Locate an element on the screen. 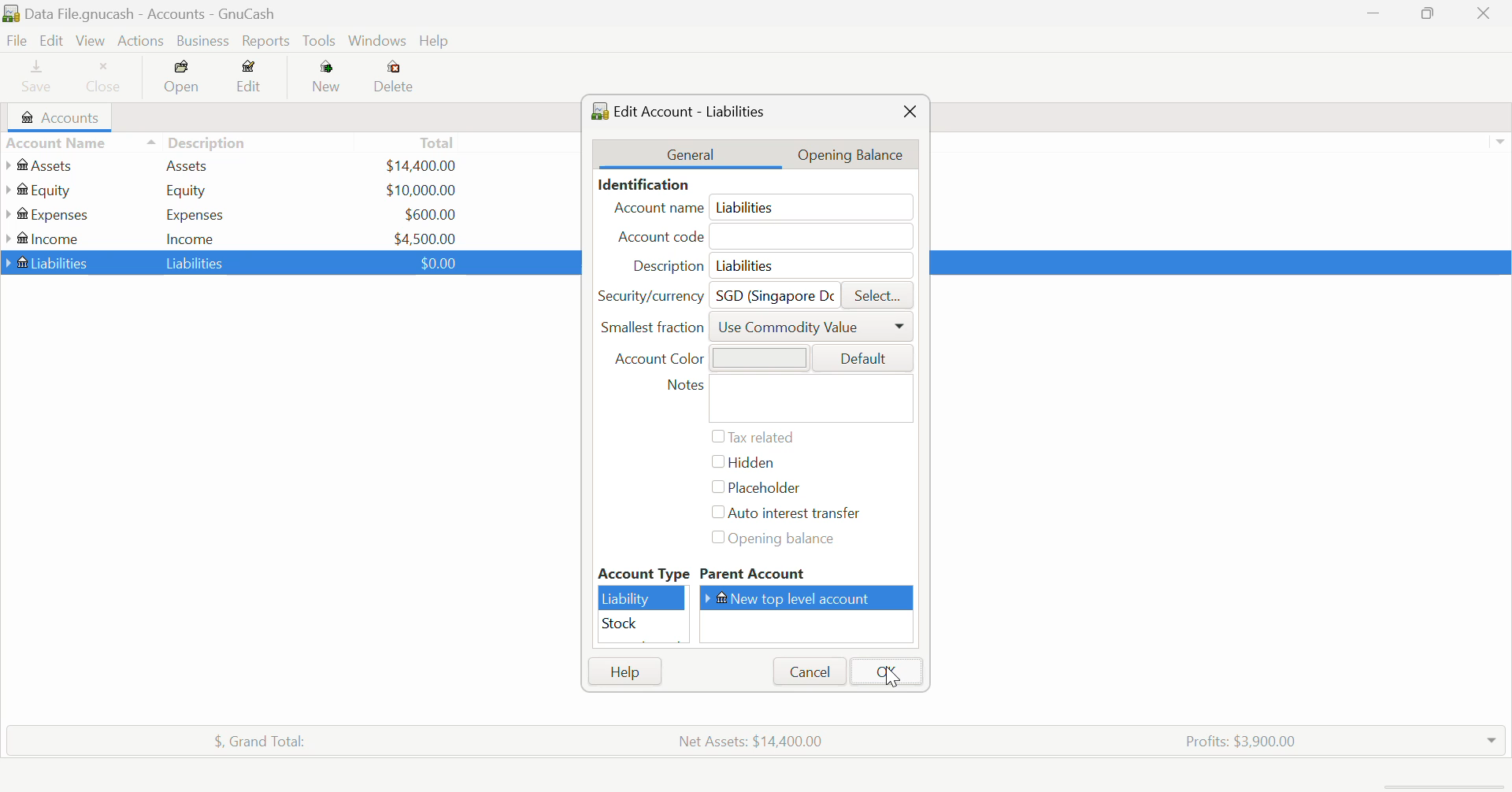 This screenshot has width=1512, height=792. Minimize is located at coordinates (1430, 15).